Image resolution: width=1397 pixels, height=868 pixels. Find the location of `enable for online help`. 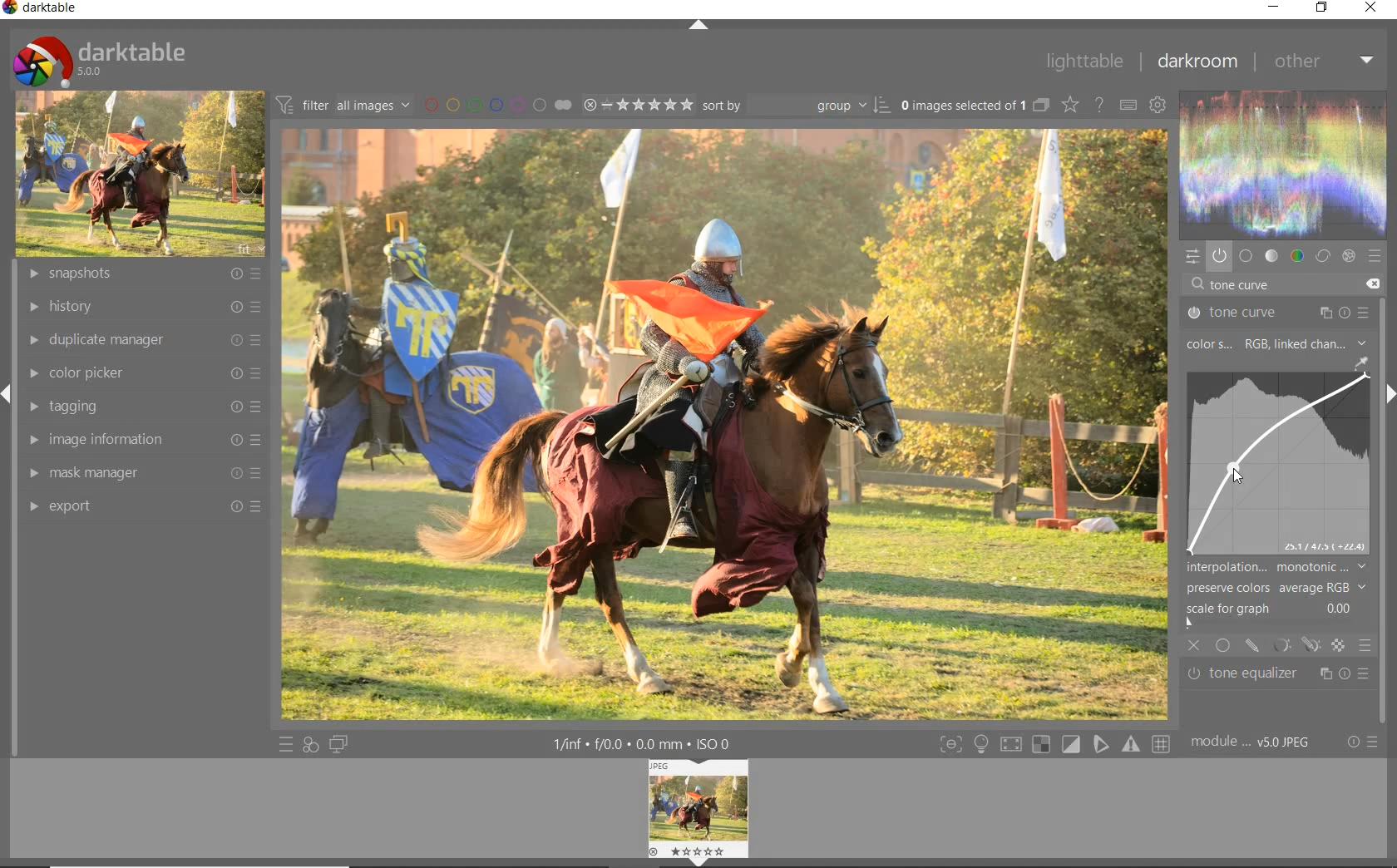

enable for online help is located at coordinates (1099, 107).